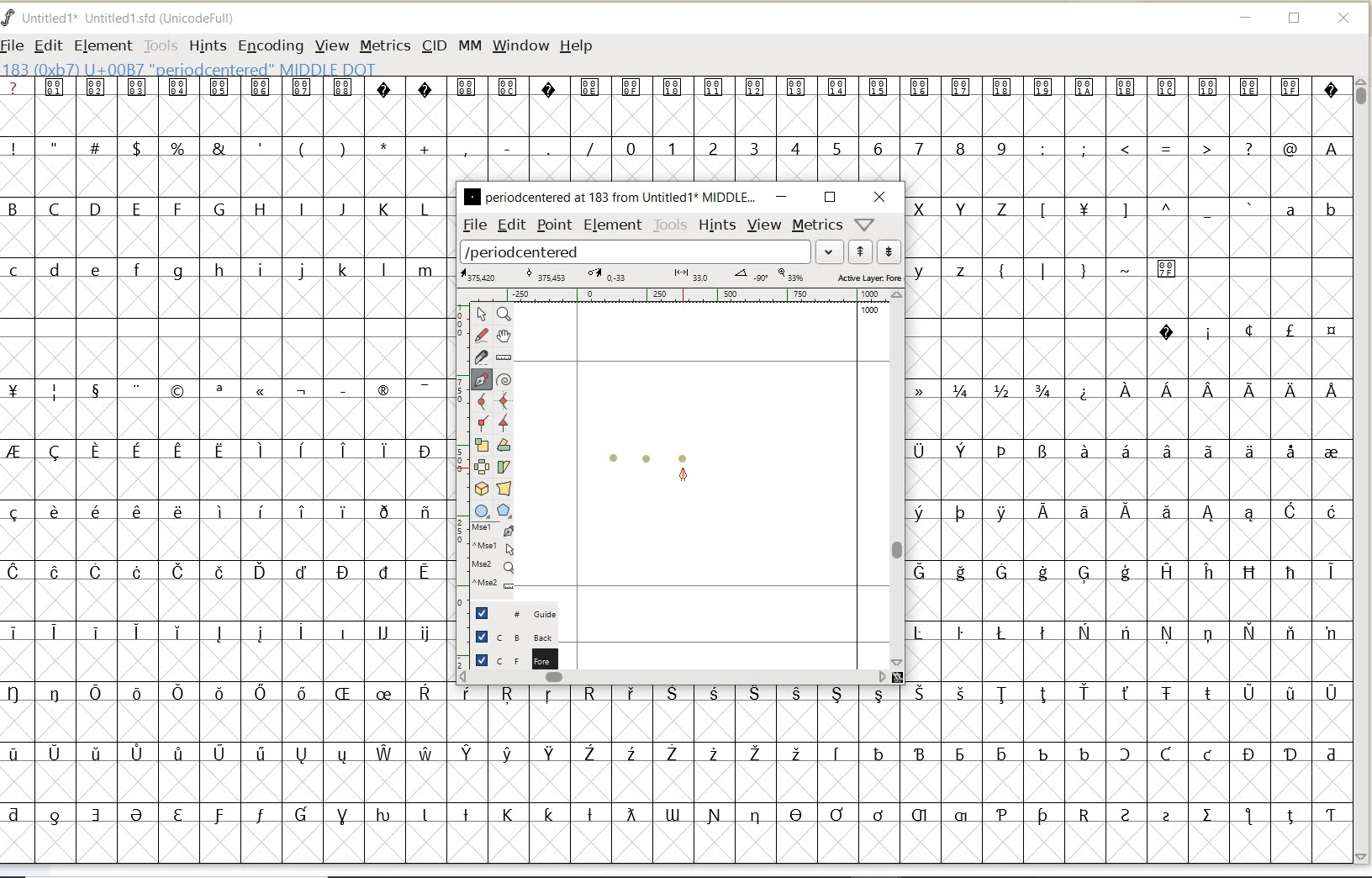 The image size is (1372, 878). Describe the element at coordinates (765, 225) in the screenshot. I see `view` at that location.